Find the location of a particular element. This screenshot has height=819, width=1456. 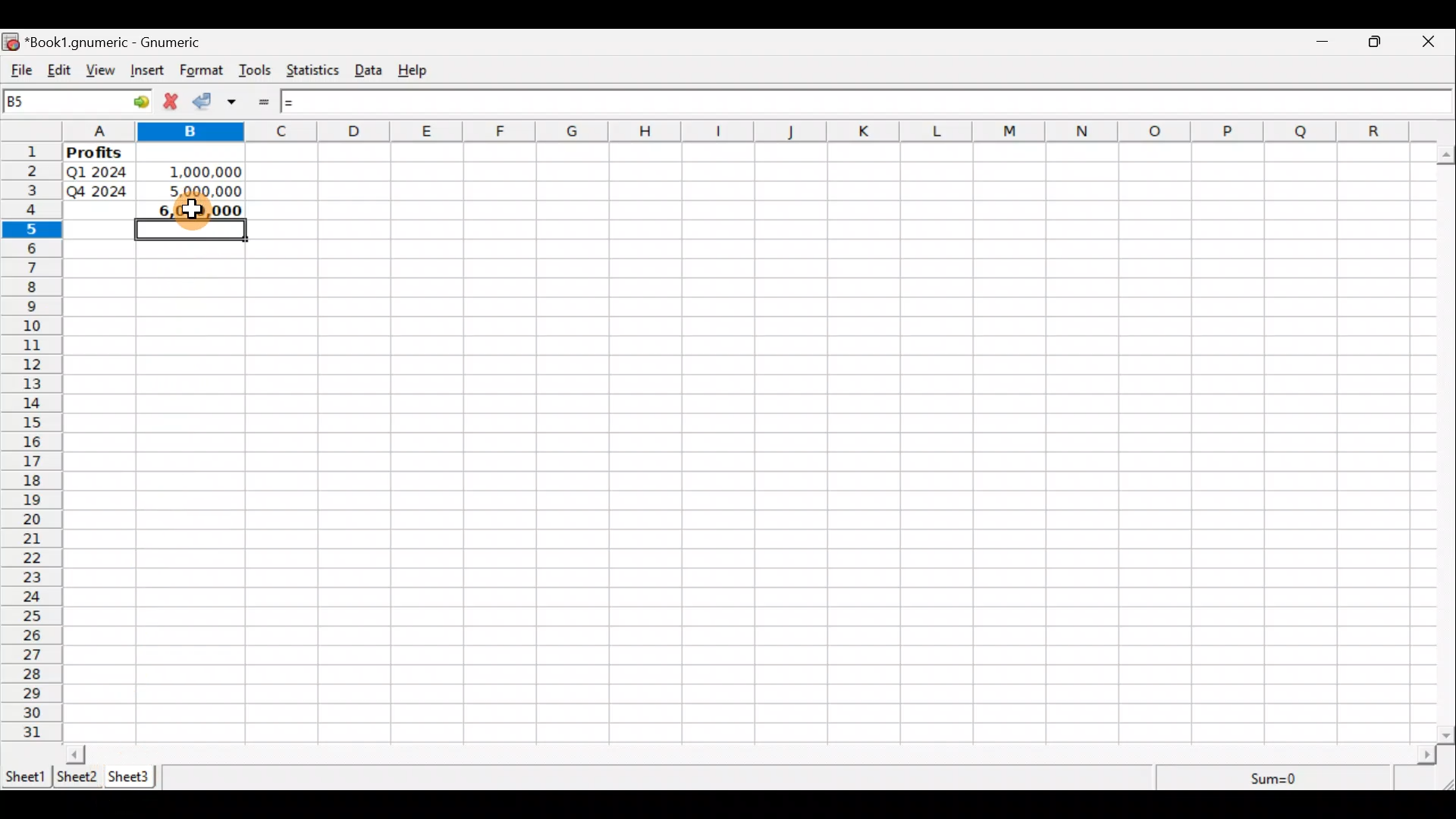

Edit is located at coordinates (58, 71).